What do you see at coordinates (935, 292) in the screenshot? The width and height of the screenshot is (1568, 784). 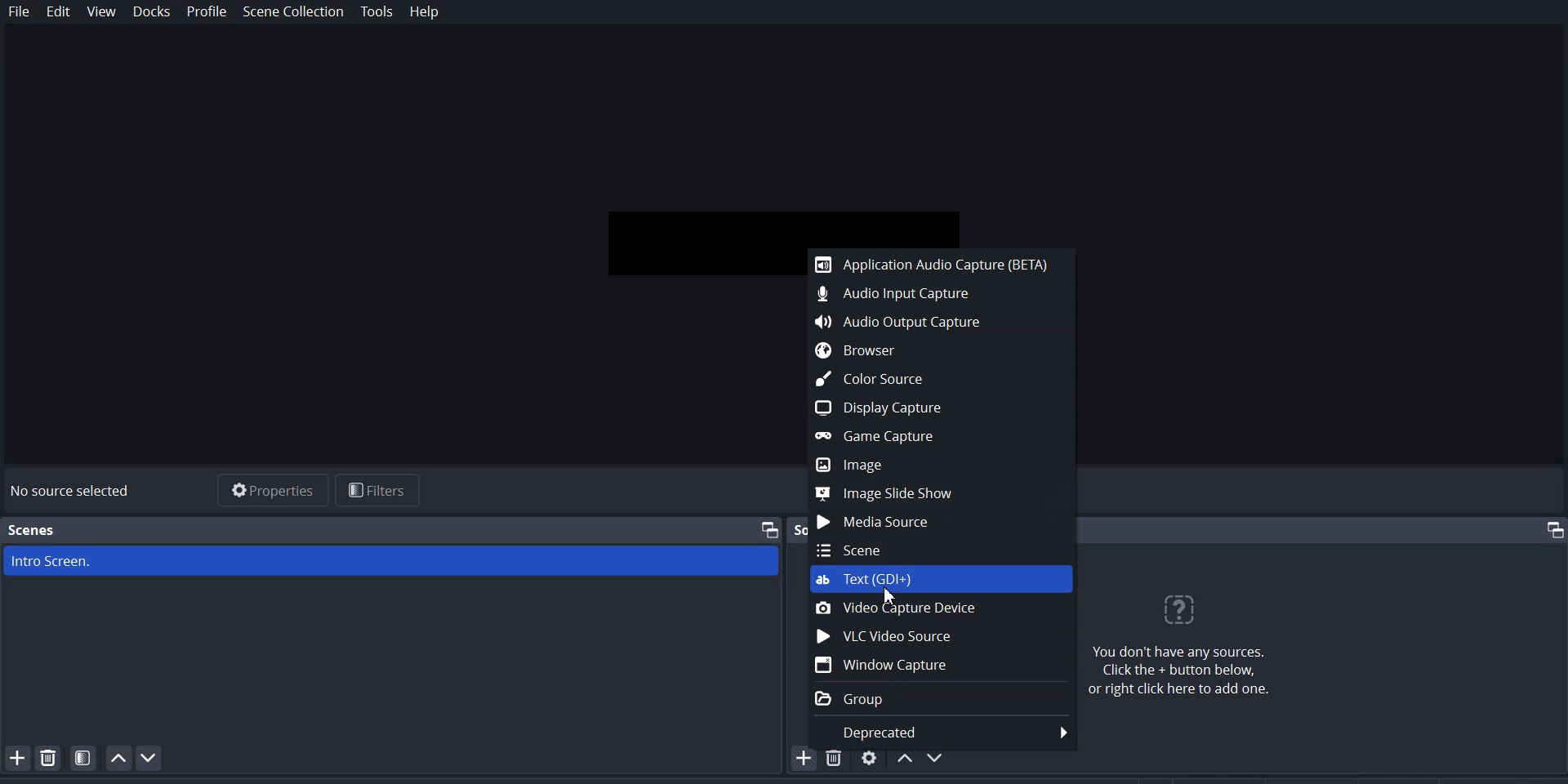 I see `Audio Input Capture` at bounding box center [935, 292].